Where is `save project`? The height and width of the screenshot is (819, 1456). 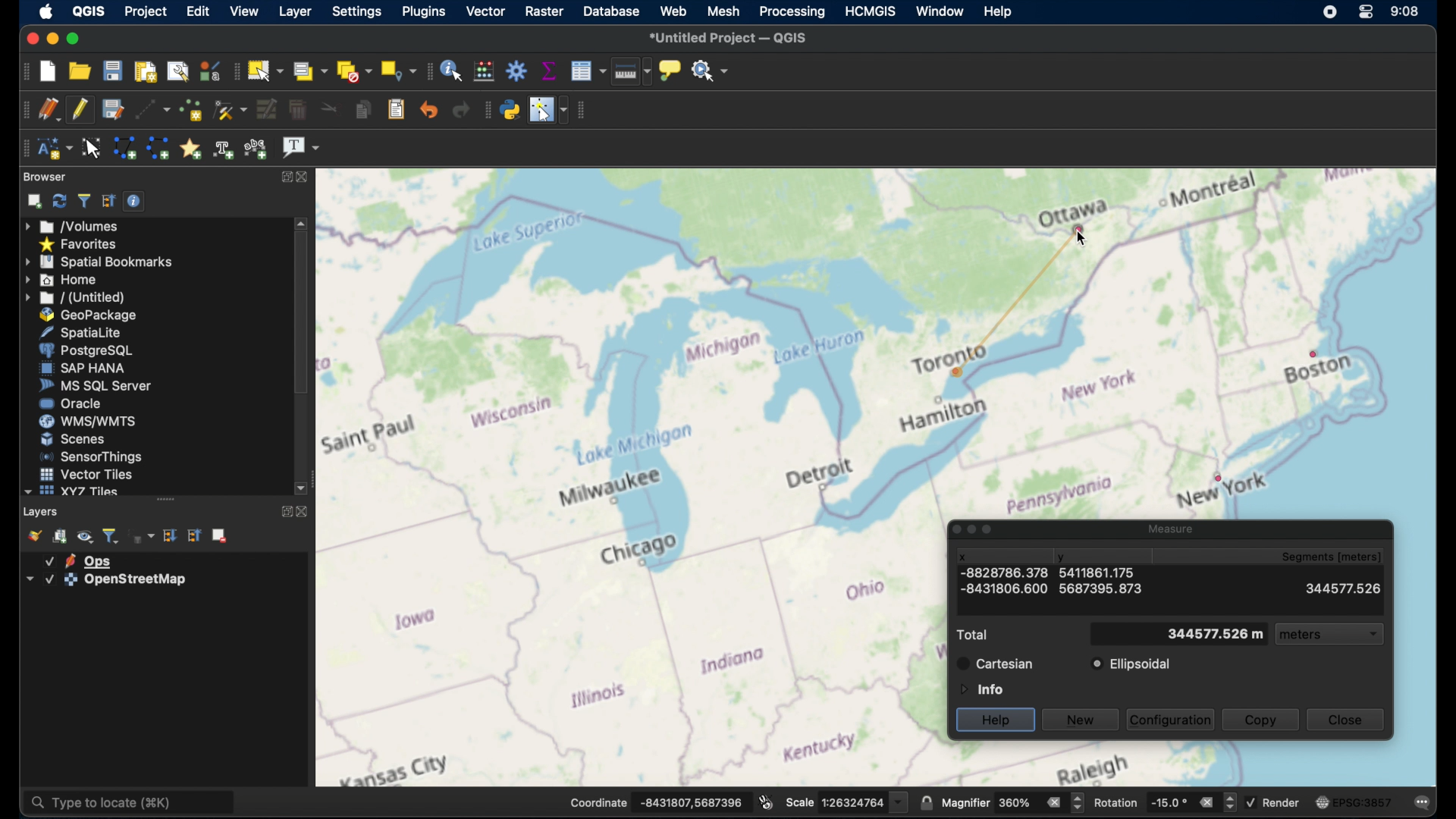
save project is located at coordinates (113, 70).